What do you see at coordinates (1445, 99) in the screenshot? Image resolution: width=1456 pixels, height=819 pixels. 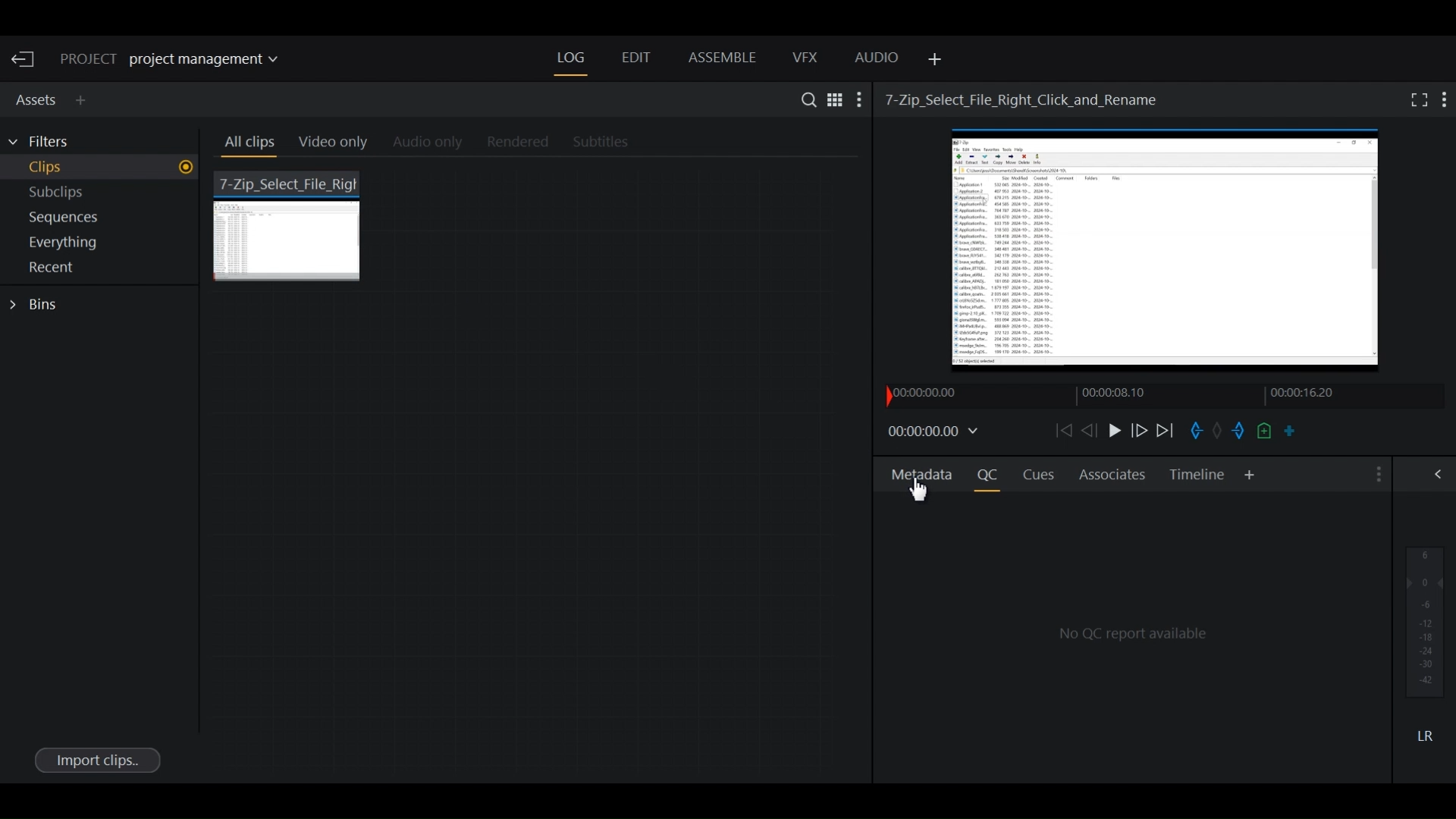 I see `Show settings menu` at bounding box center [1445, 99].